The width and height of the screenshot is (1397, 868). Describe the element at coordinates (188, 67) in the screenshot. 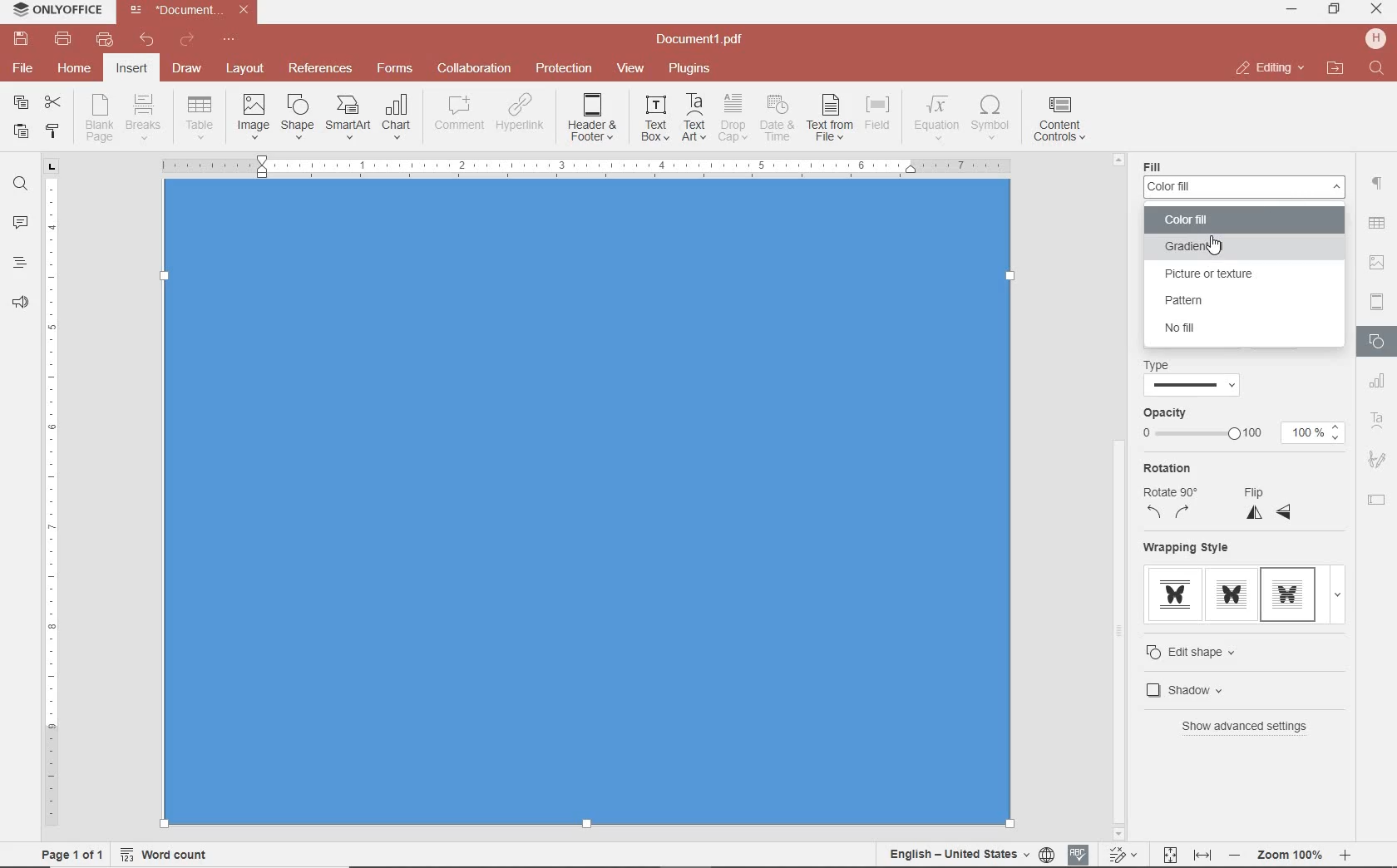

I see `draw` at that location.